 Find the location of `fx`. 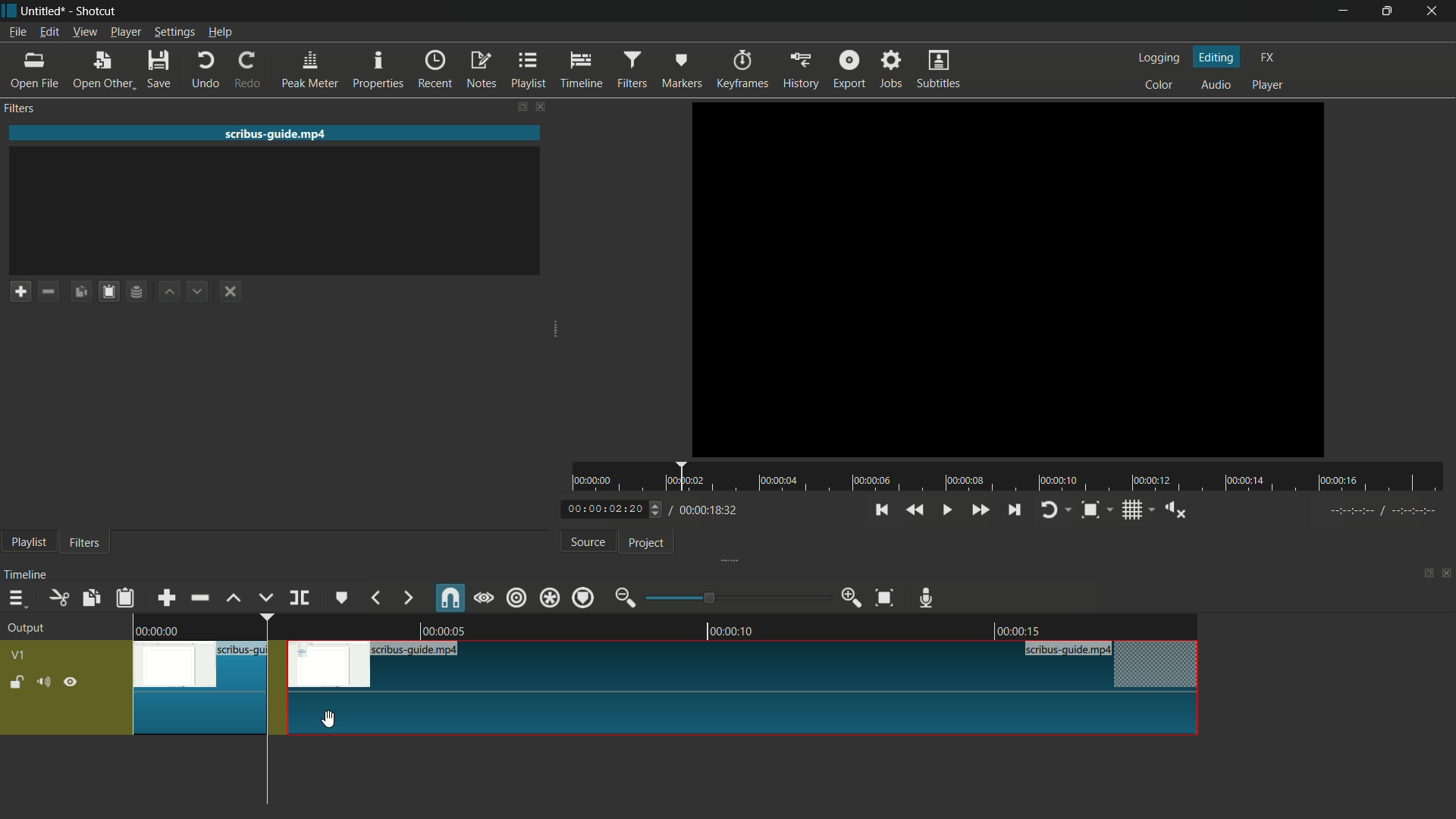

fx is located at coordinates (1267, 55).